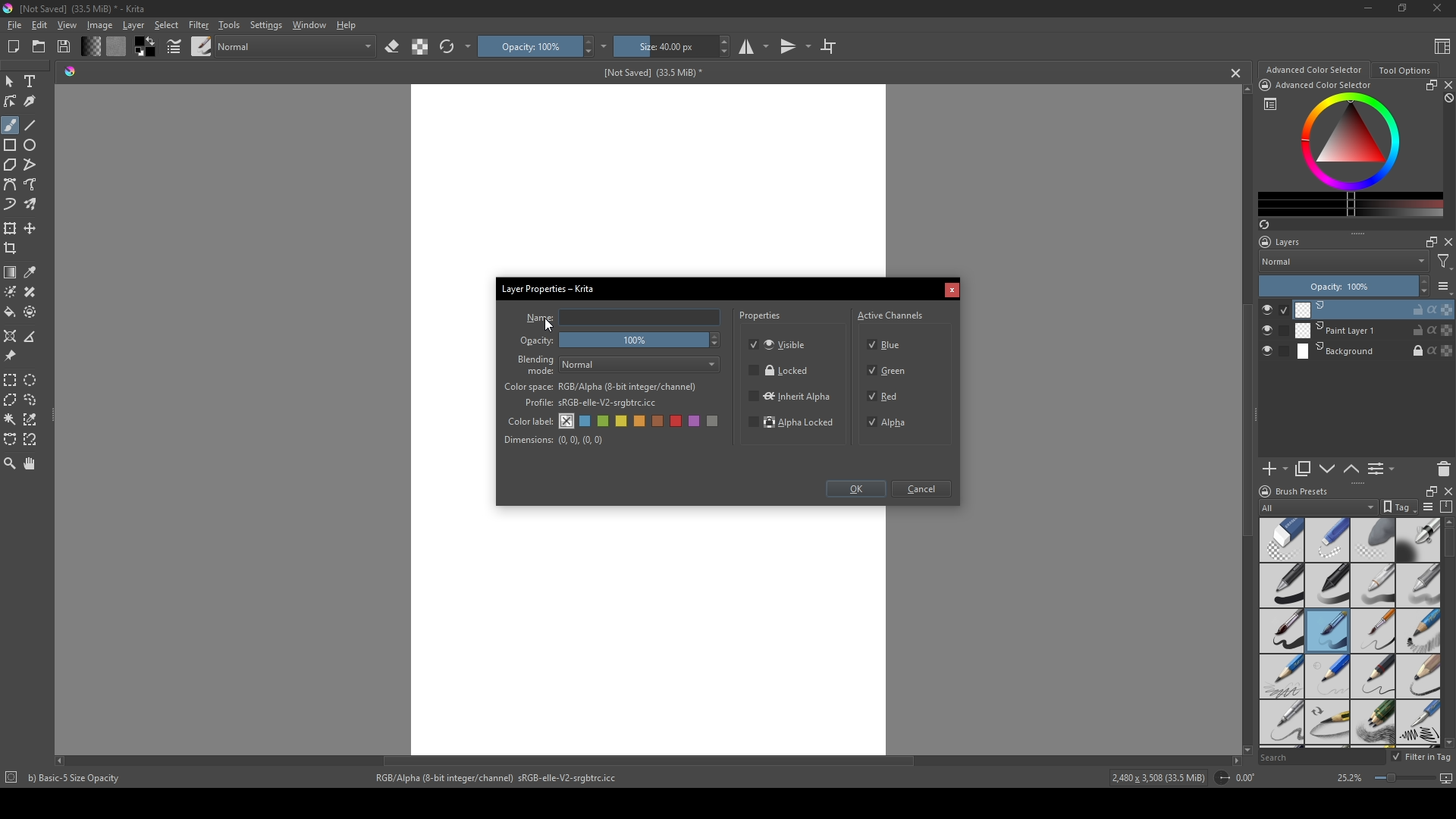  What do you see at coordinates (9, 82) in the screenshot?
I see `mouse` at bounding box center [9, 82].